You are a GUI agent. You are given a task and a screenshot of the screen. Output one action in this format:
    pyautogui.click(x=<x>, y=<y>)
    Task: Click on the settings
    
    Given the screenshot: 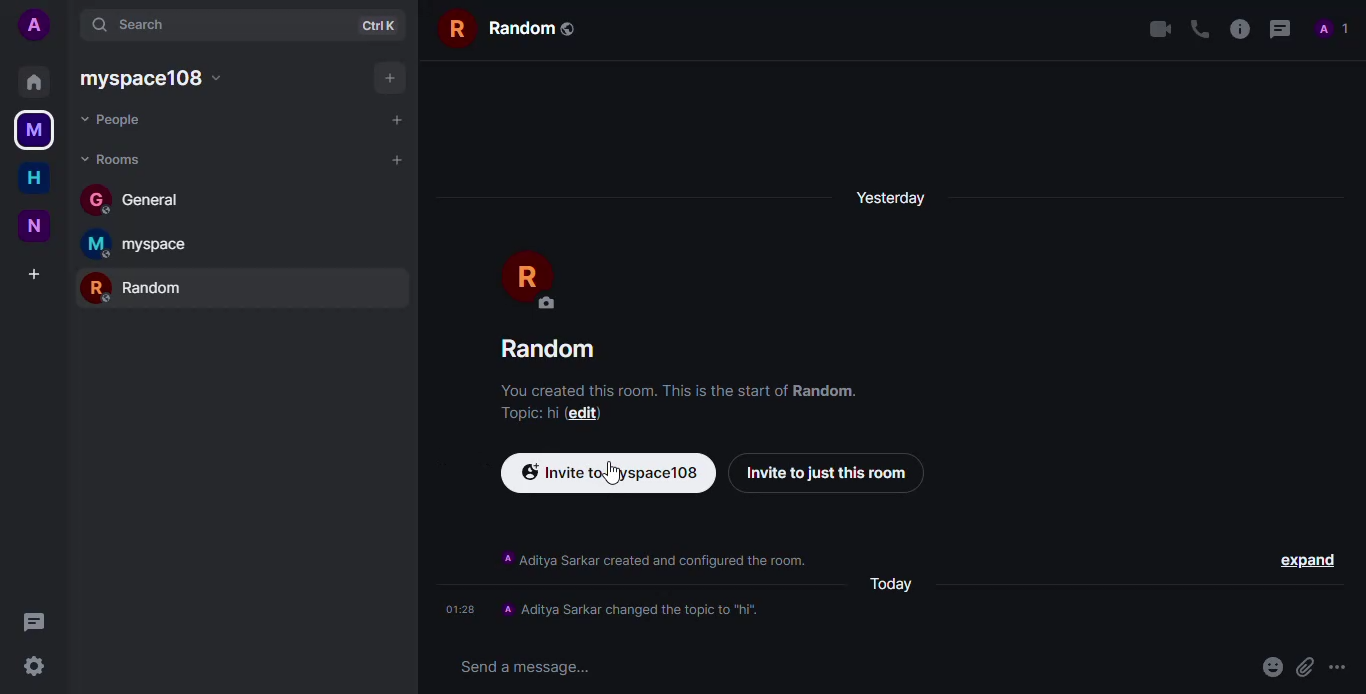 What is the action you would take?
    pyautogui.click(x=36, y=669)
    